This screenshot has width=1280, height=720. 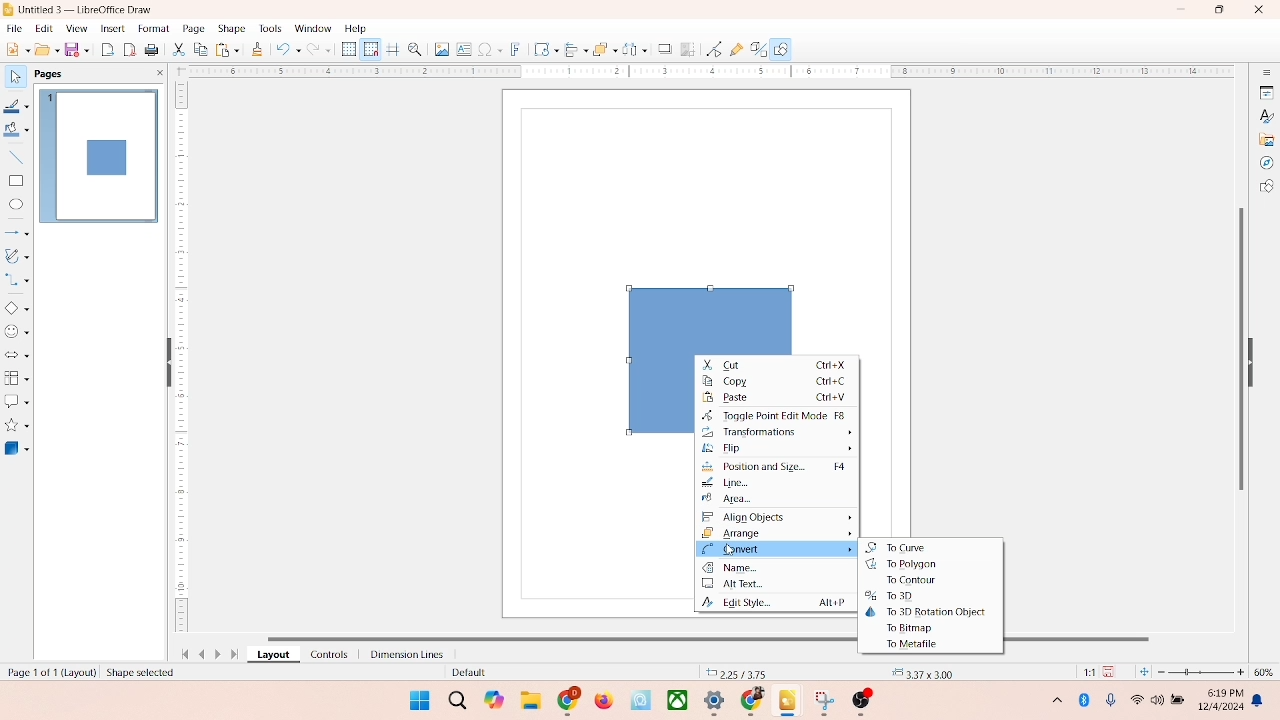 What do you see at coordinates (272, 655) in the screenshot?
I see `layout` at bounding box center [272, 655].